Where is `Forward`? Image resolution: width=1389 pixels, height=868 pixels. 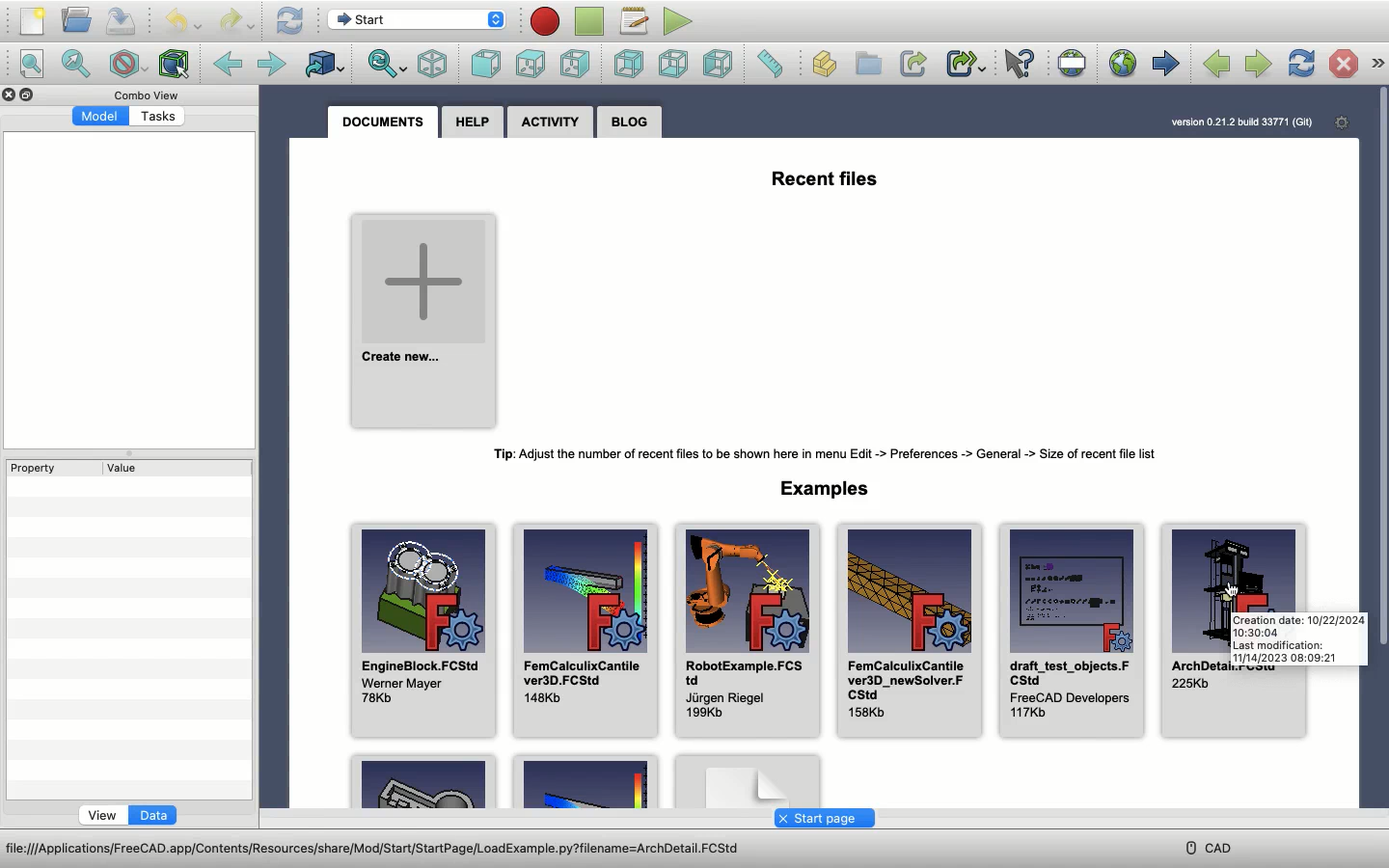 Forward is located at coordinates (270, 63).